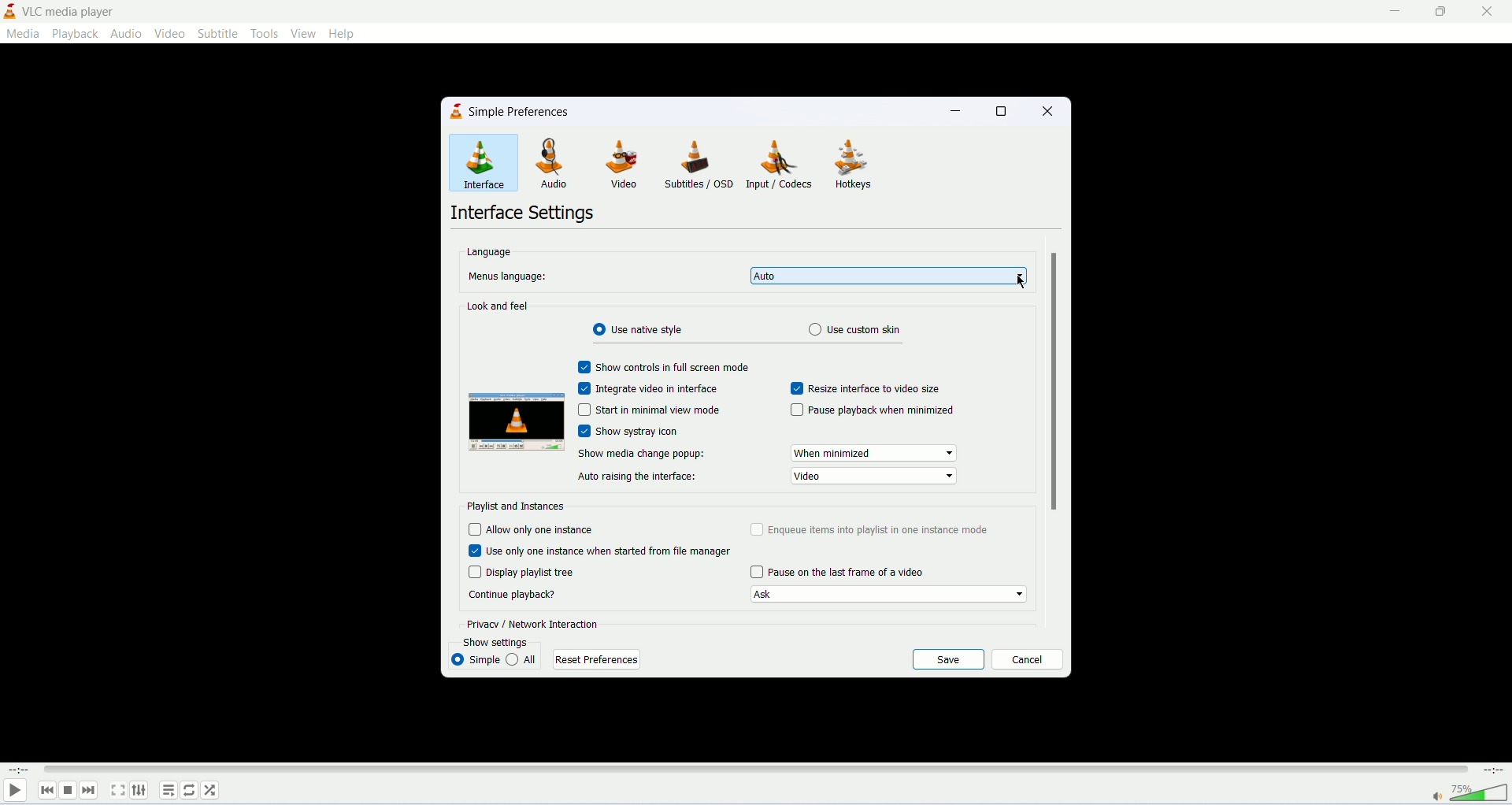  I want to click on continue playback?, so click(512, 594).